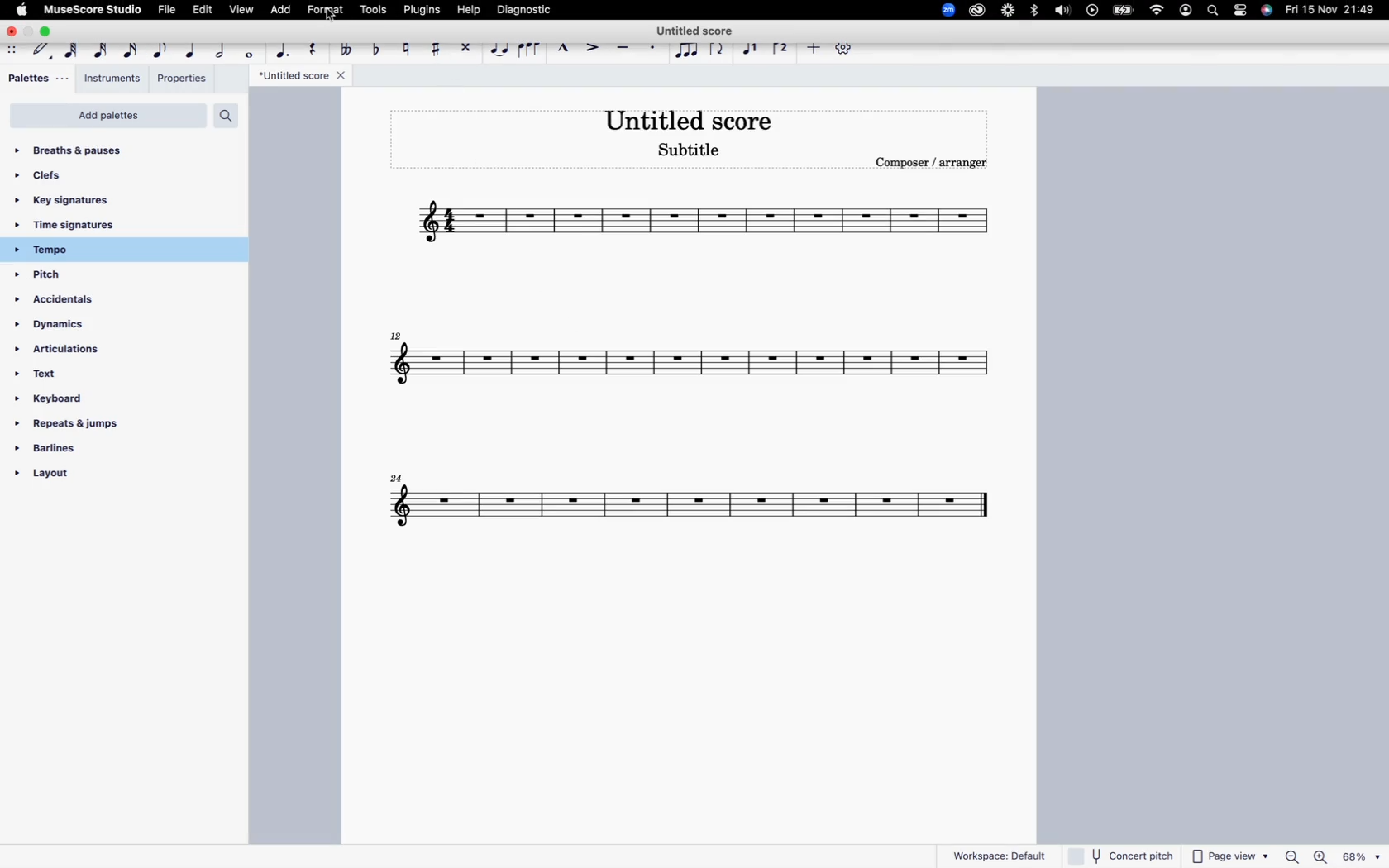 The width and height of the screenshot is (1389, 868). What do you see at coordinates (168, 12) in the screenshot?
I see `file` at bounding box center [168, 12].